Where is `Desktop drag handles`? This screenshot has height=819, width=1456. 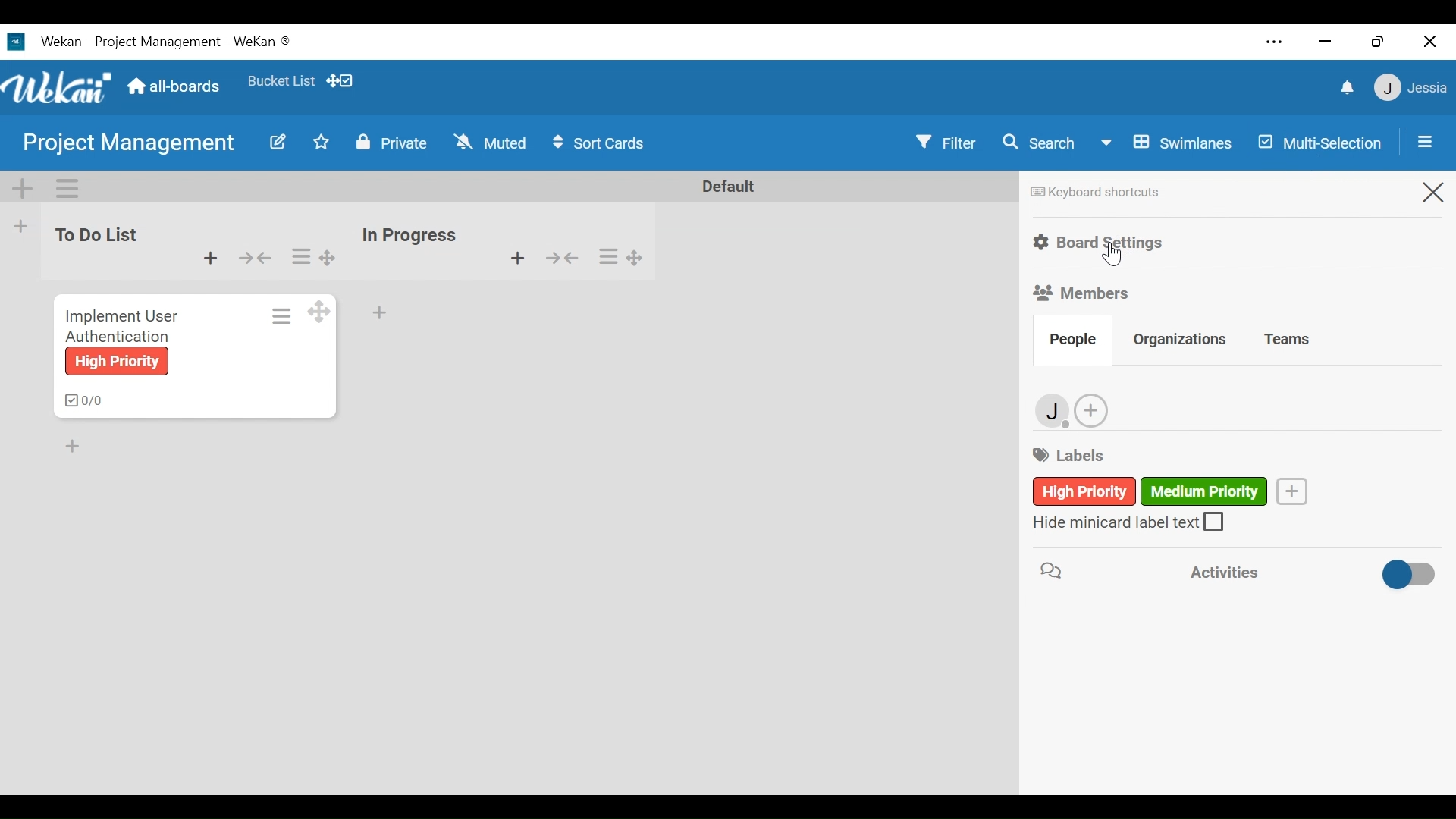 Desktop drag handles is located at coordinates (635, 259).